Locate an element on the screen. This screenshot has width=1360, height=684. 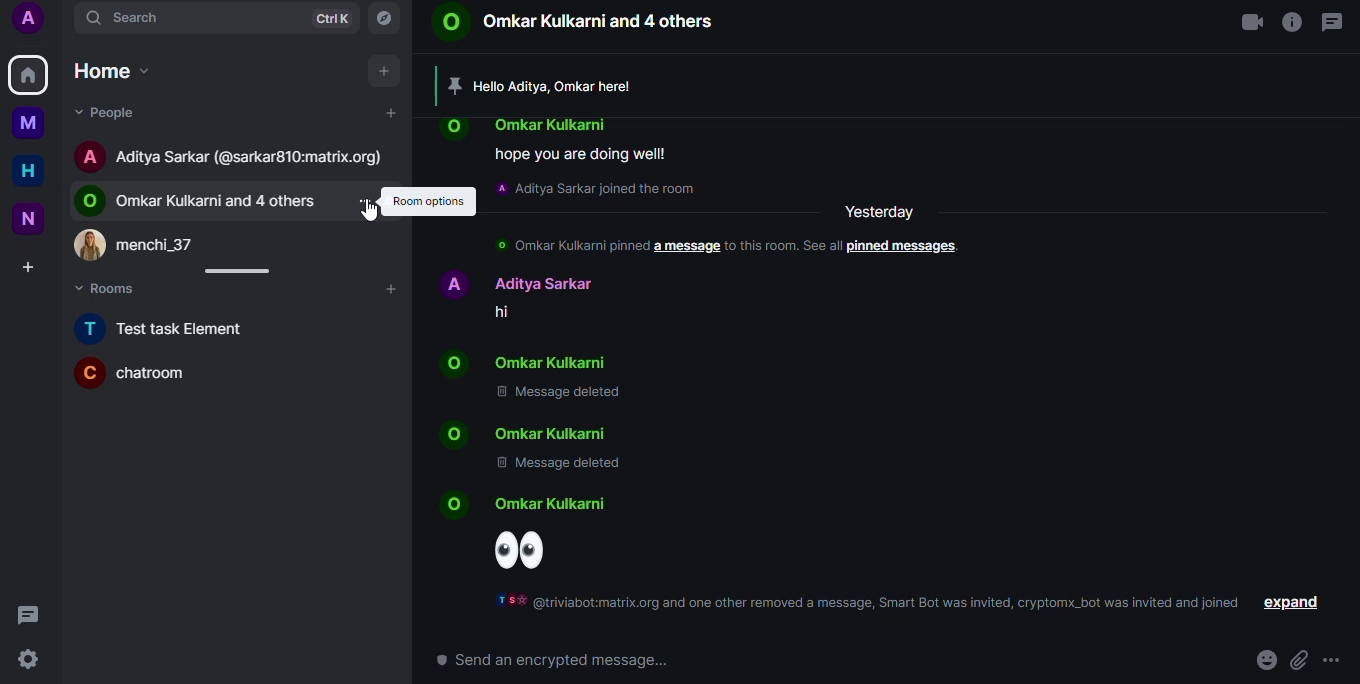
add space is located at coordinates (36, 268).